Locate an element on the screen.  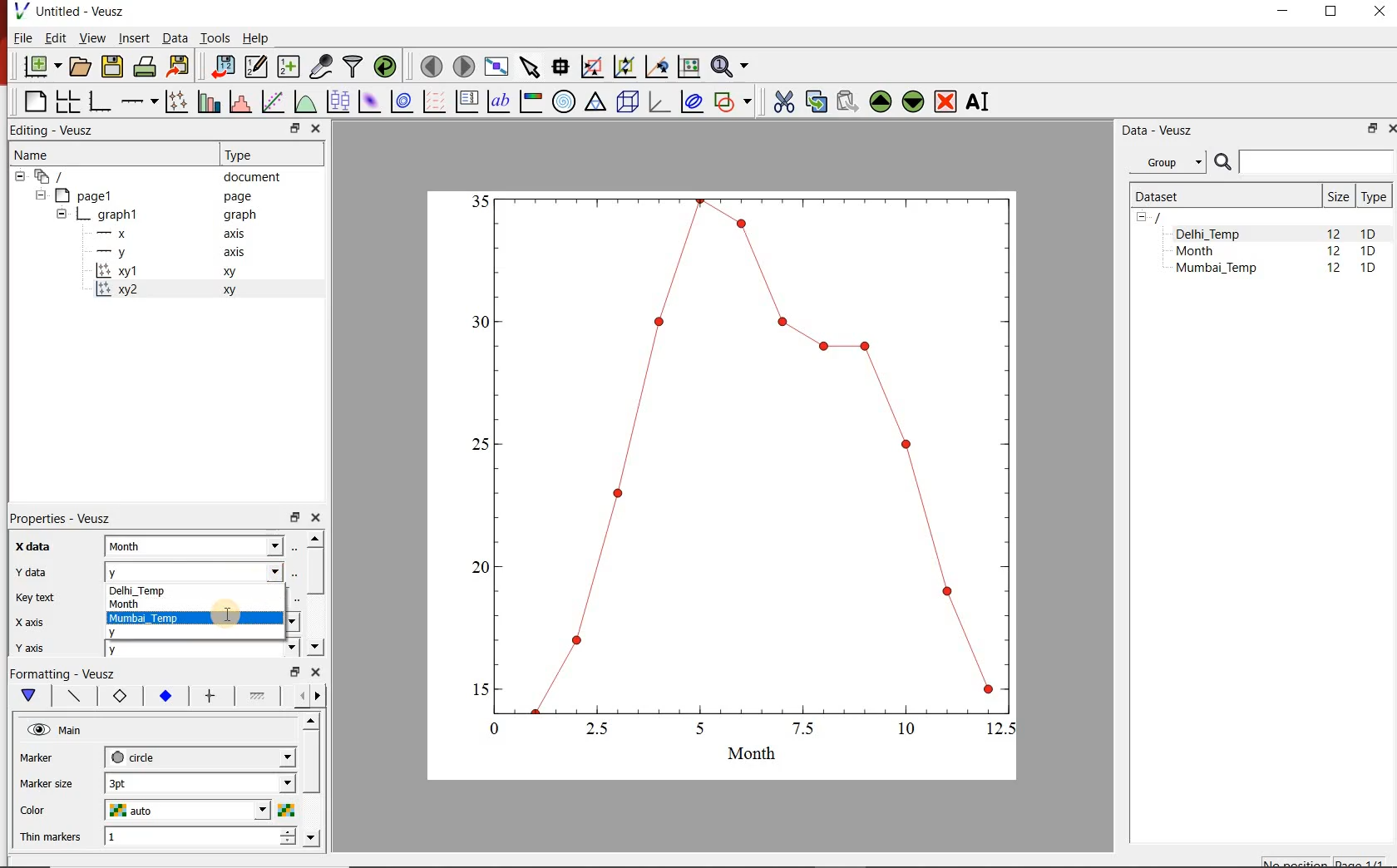
Tick labels is located at coordinates (164, 693).